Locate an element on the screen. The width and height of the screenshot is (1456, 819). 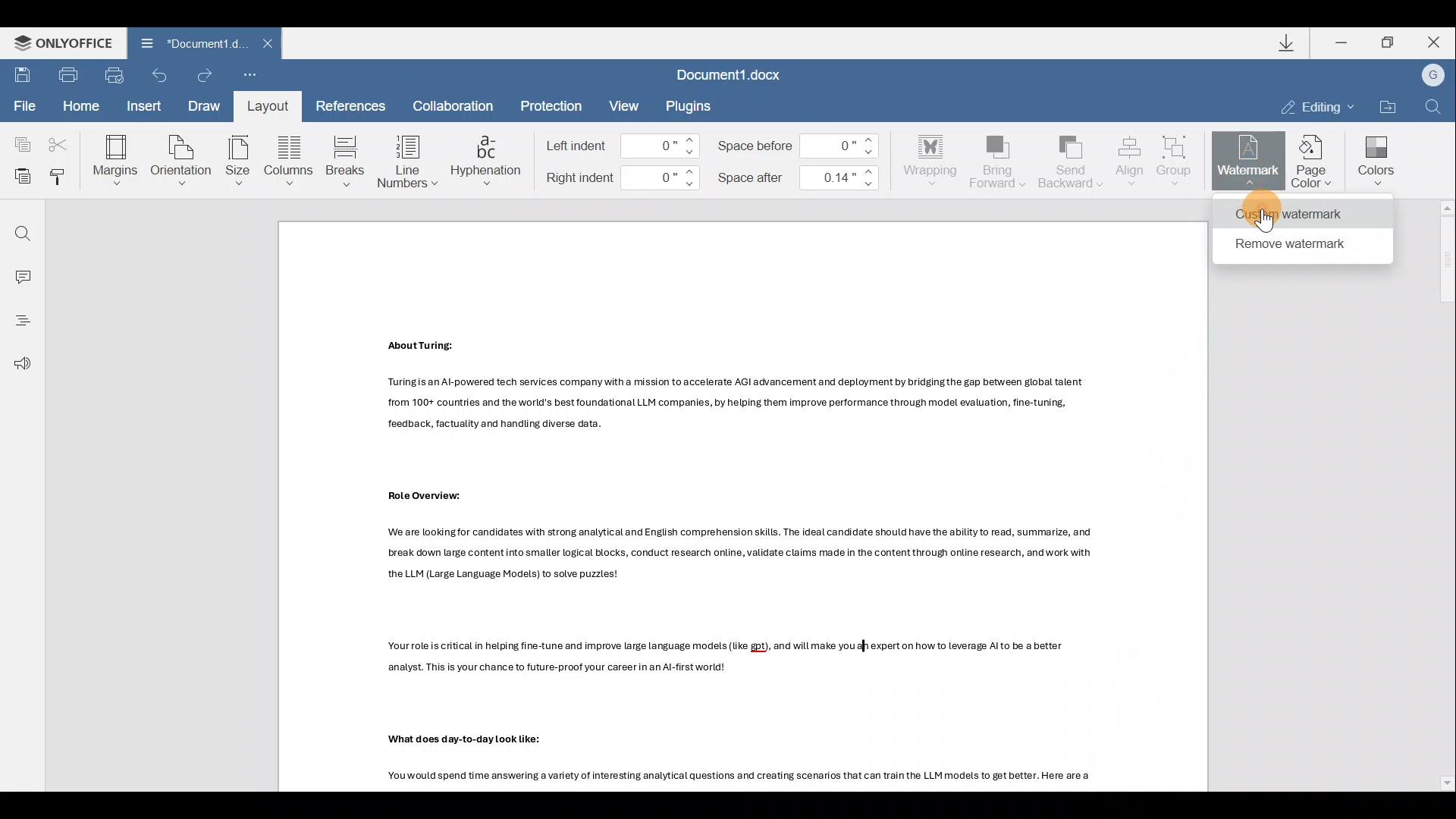
Collaboration is located at coordinates (460, 105).